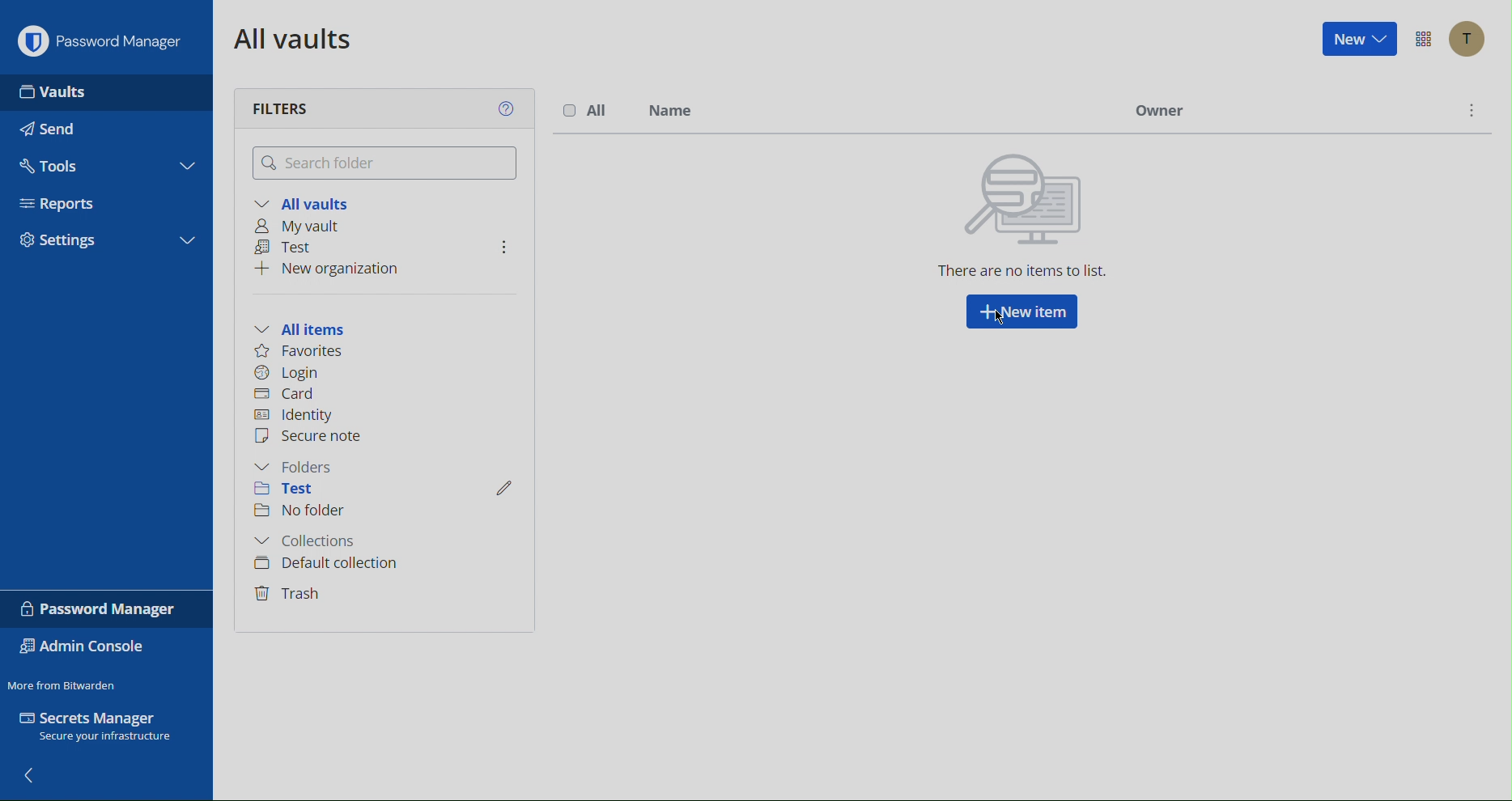  What do you see at coordinates (297, 468) in the screenshot?
I see `Folders` at bounding box center [297, 468].